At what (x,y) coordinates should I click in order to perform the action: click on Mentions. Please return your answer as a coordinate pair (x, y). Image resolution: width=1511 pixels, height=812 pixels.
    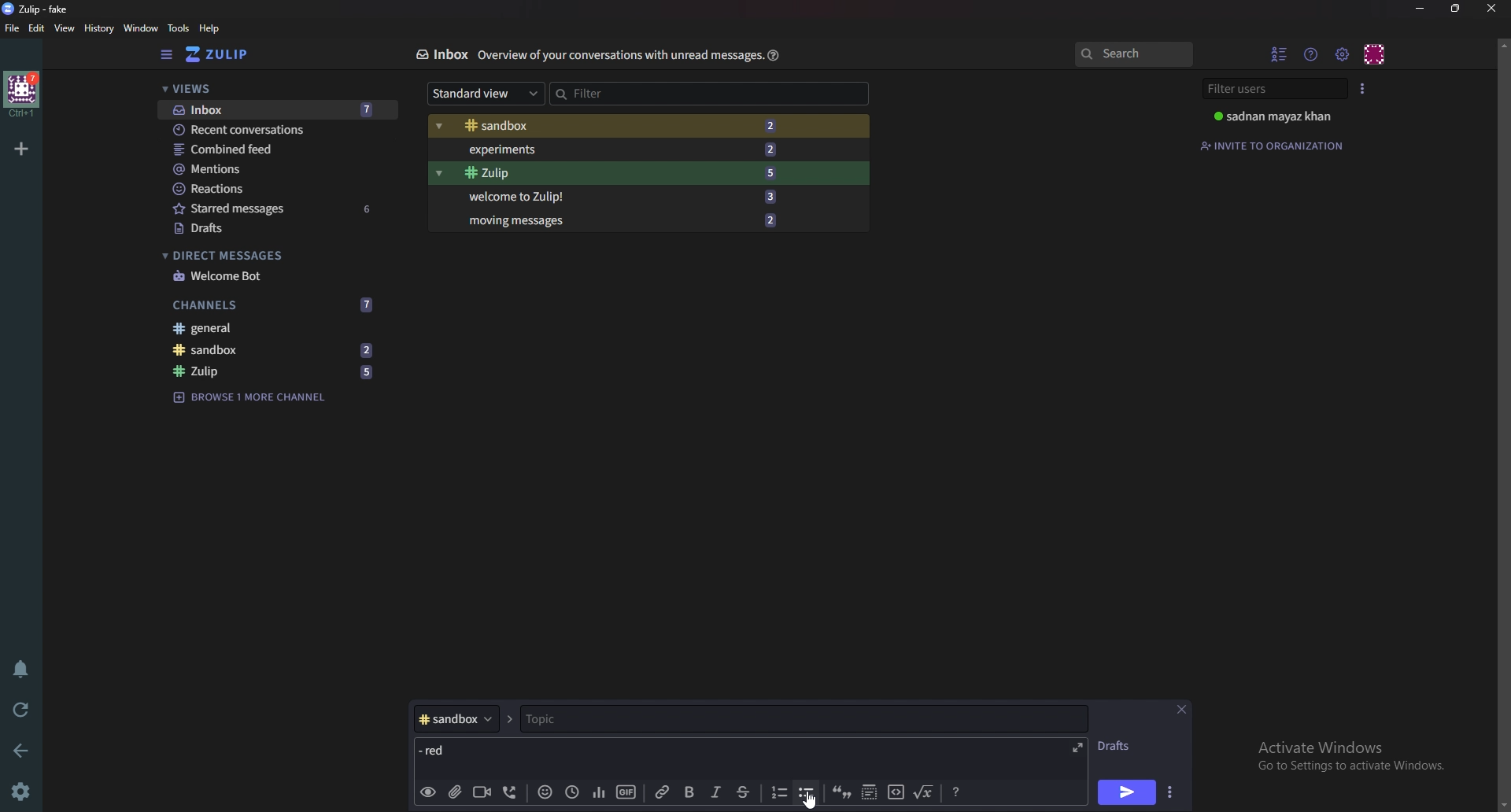
    Looking at the image, I should click on (276, 169).